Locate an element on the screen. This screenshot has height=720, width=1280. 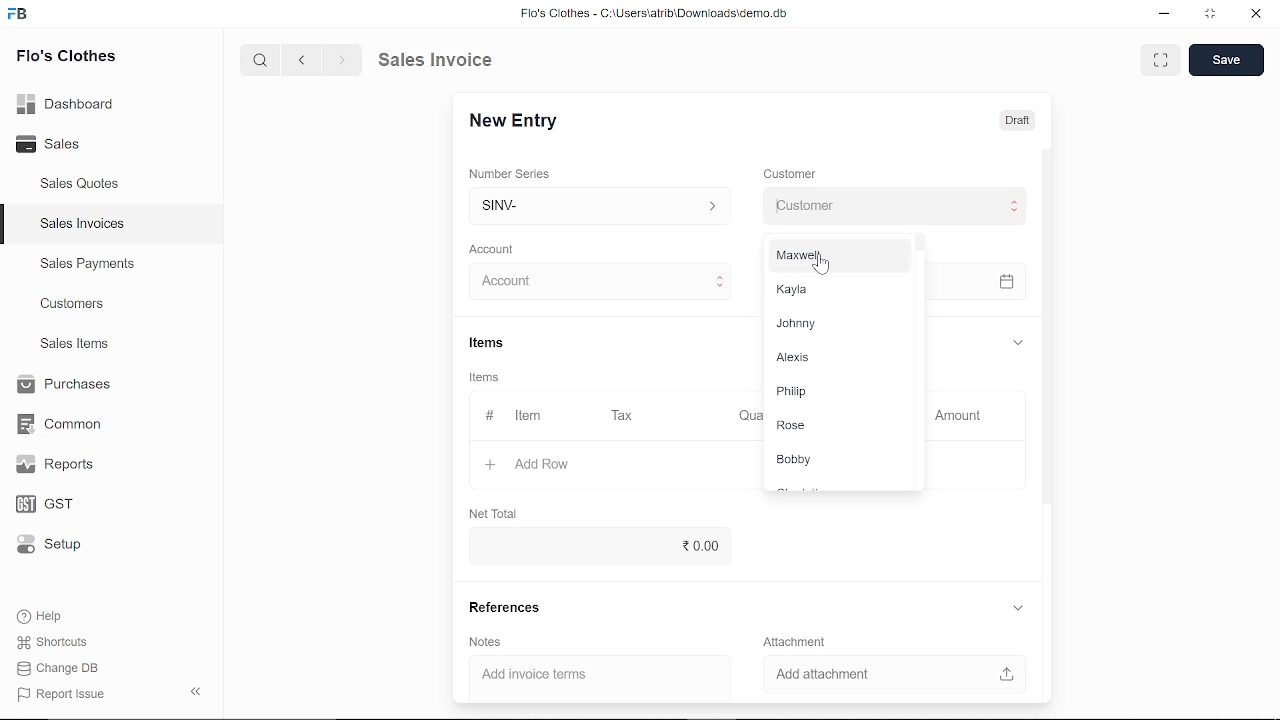
Attachment is located at coordinates (798, 642).